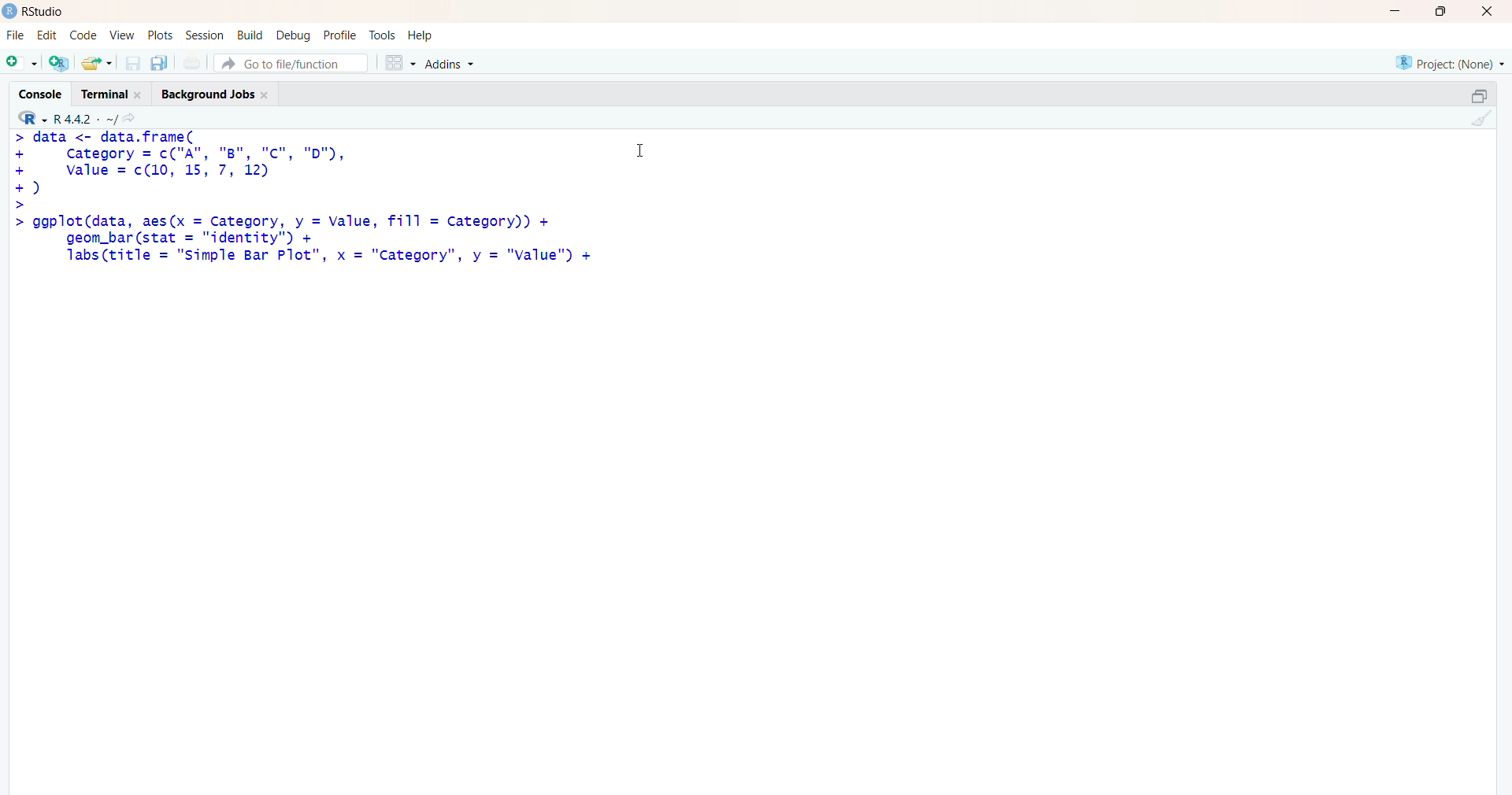 This screenshot has width=1512, height=795. What do you see at coordinates (21, 61) in the screenshot?
I see `new file` at bounding box center [21, 61].